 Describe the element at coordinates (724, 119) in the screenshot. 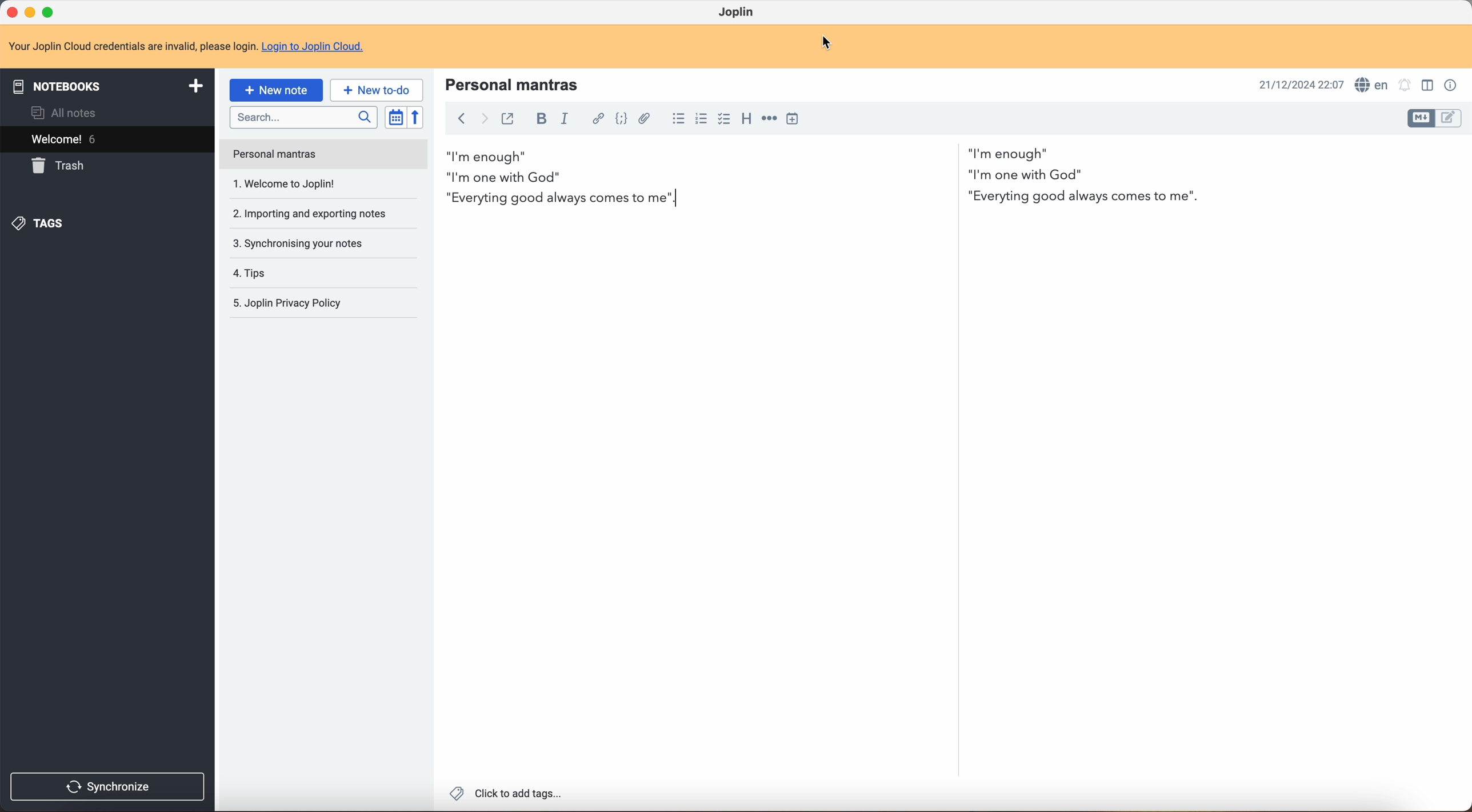

I see `checkbox` at that location.